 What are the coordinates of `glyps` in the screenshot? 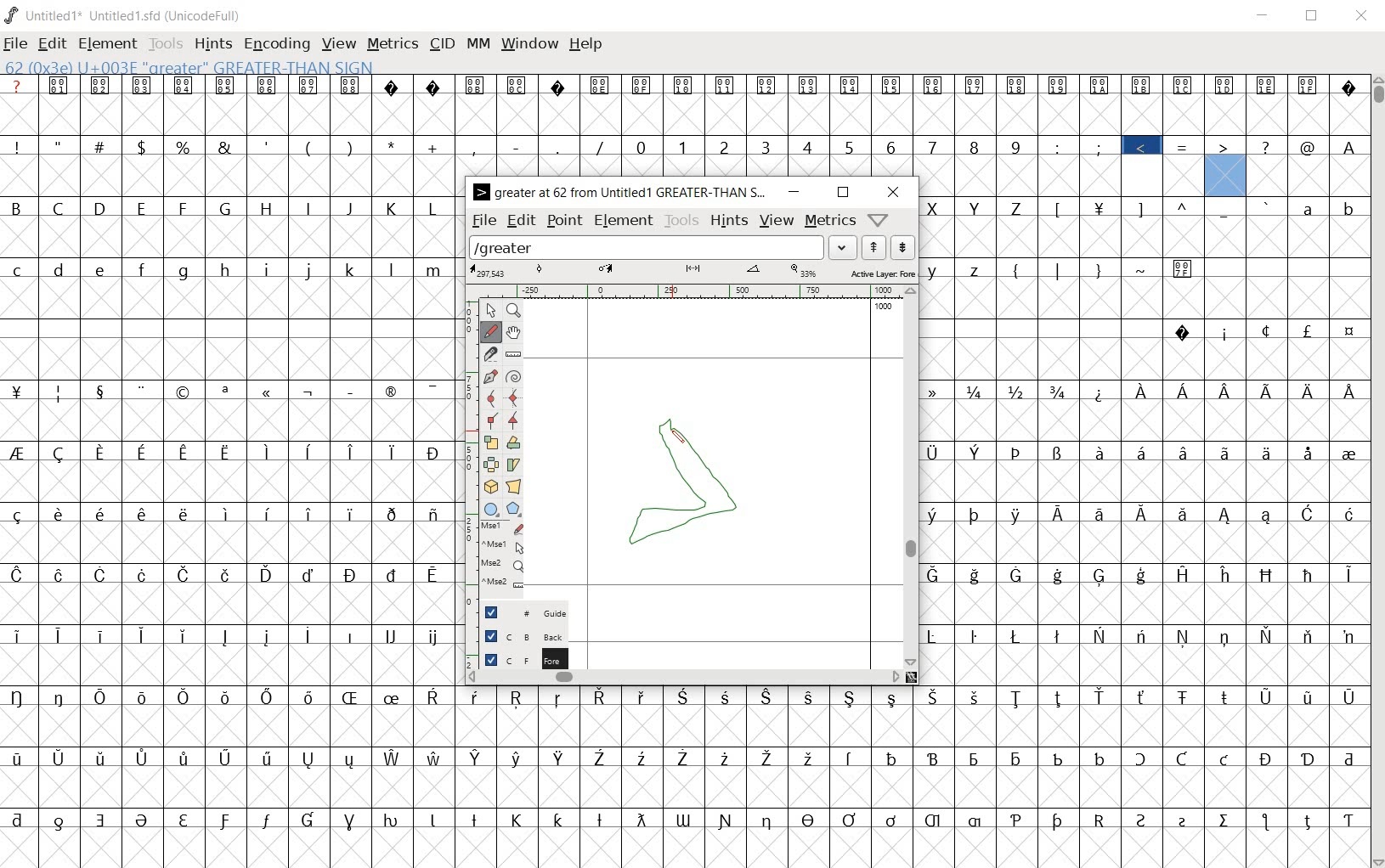 It's located at (1204, 104).